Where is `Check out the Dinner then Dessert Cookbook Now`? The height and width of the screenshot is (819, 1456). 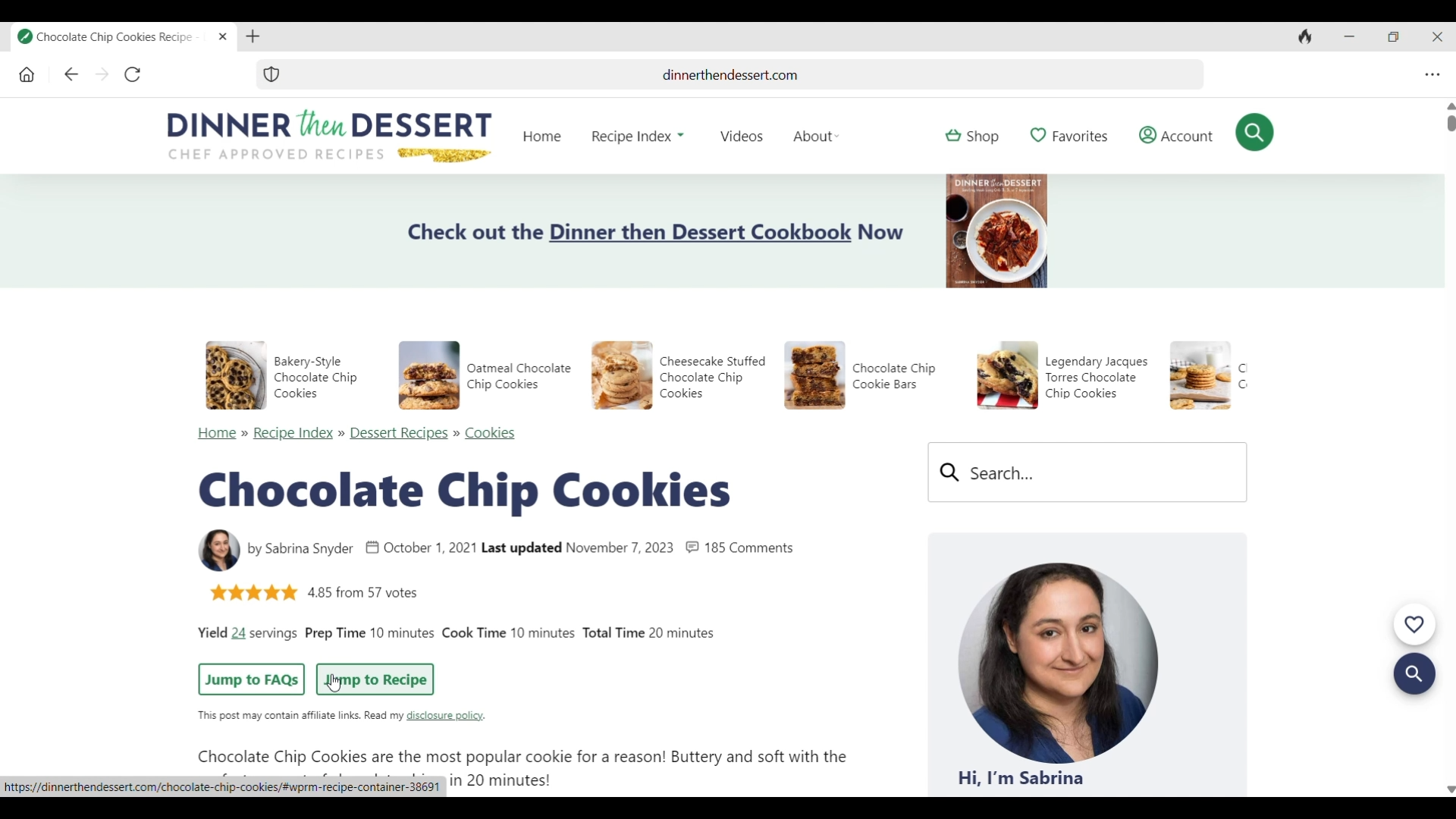
Check out the Dinner then Dessert Cookbook Now is located at coordinates (656, 232).